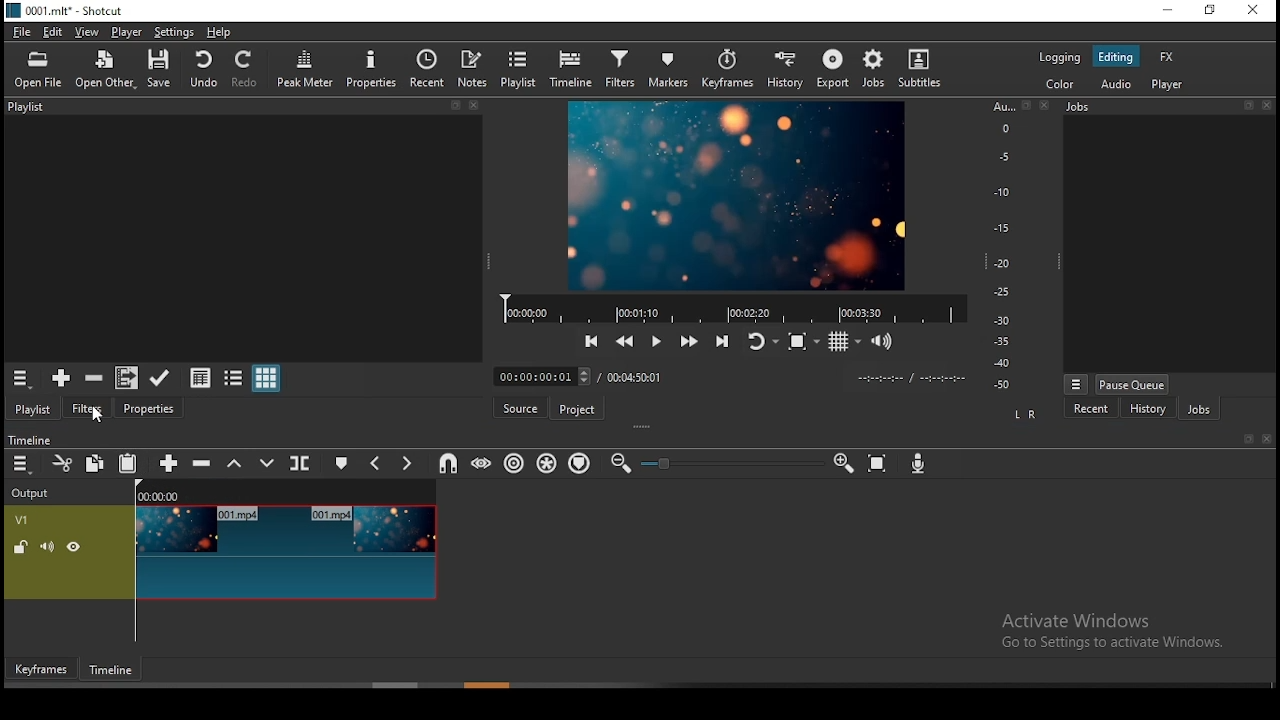 The width and height of the screenshot is (1280, 720). Describe the element at coordinates (842, 343) in the screenshot. I see `toggle grid display on the player` at that location.